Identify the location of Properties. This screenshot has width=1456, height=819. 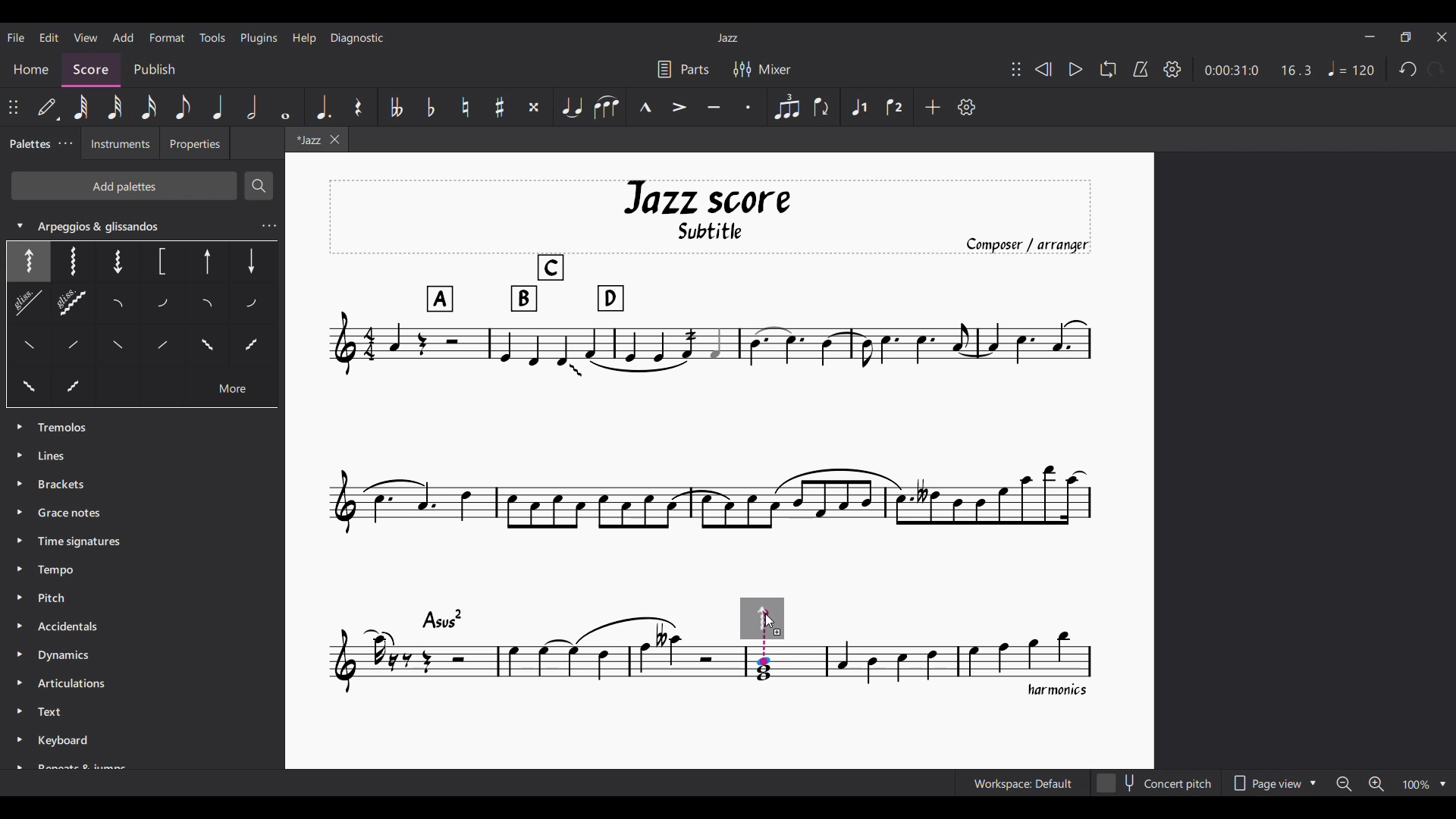
(196, 143).